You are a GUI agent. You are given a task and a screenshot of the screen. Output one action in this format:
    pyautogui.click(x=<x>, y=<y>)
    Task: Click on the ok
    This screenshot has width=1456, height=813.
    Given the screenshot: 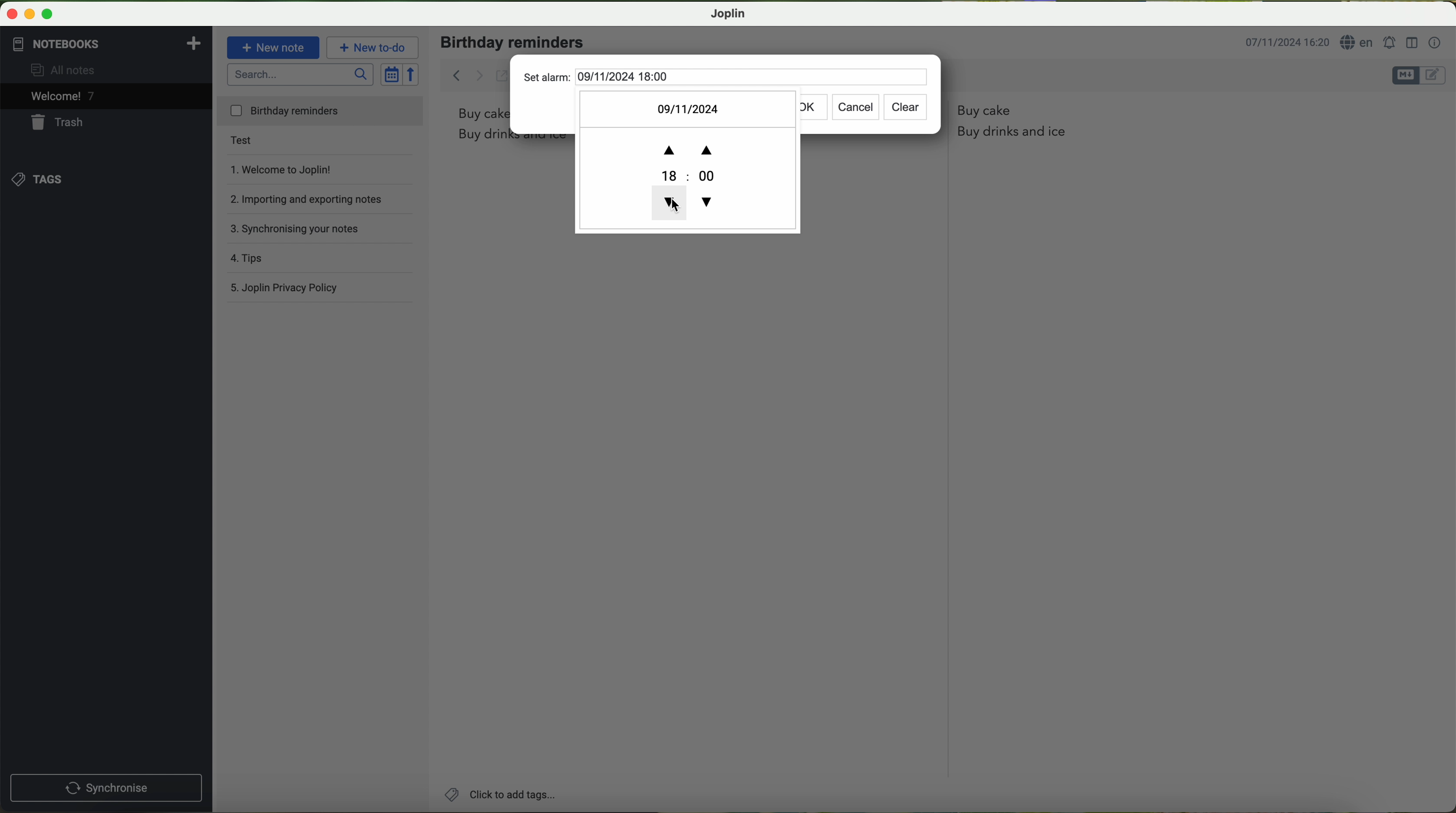 What is the action you would take?
    pyautogui.click(x=806, y=110)
    